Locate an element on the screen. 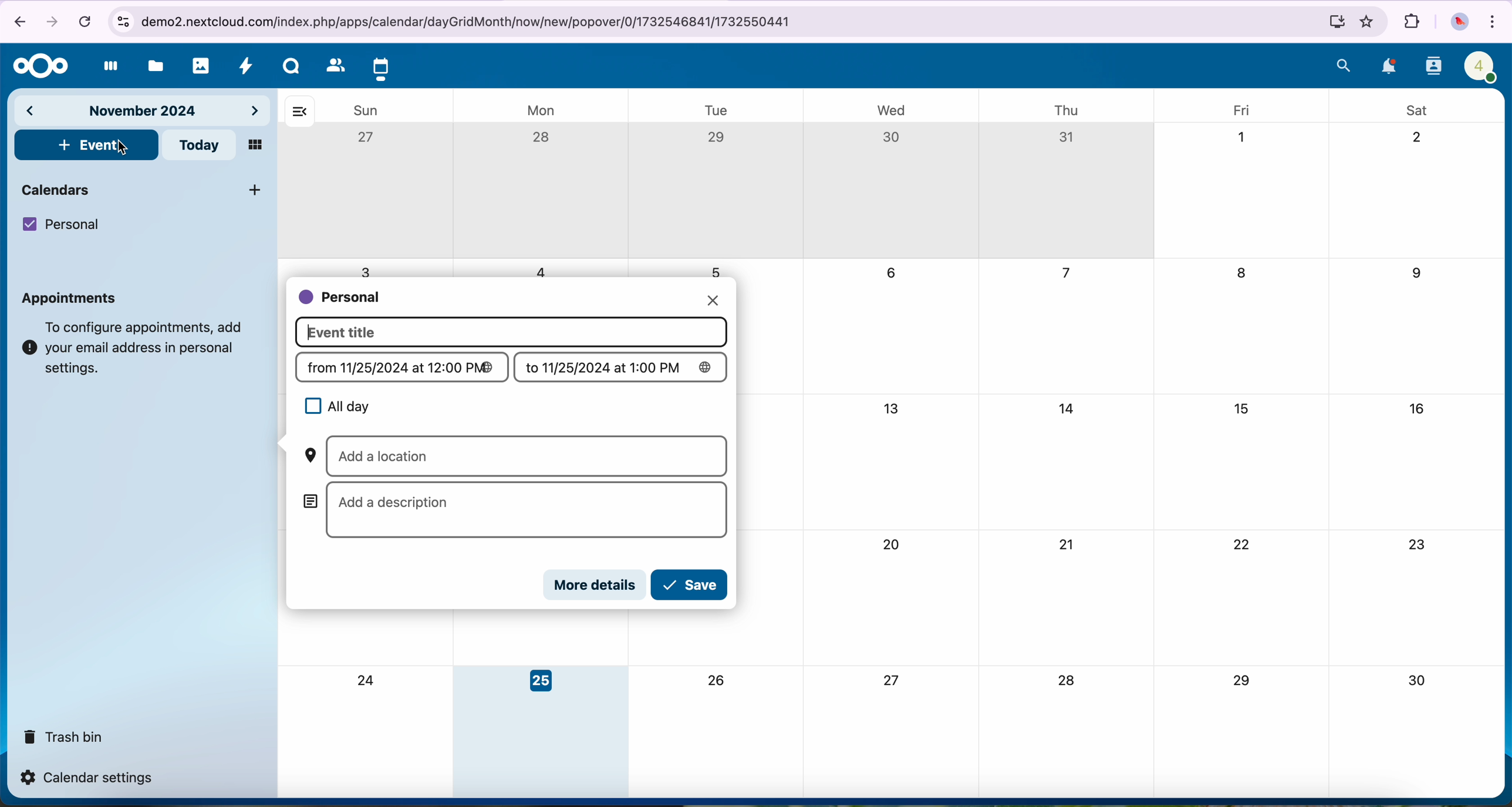  favorites is located at coordinates (1366, 23).